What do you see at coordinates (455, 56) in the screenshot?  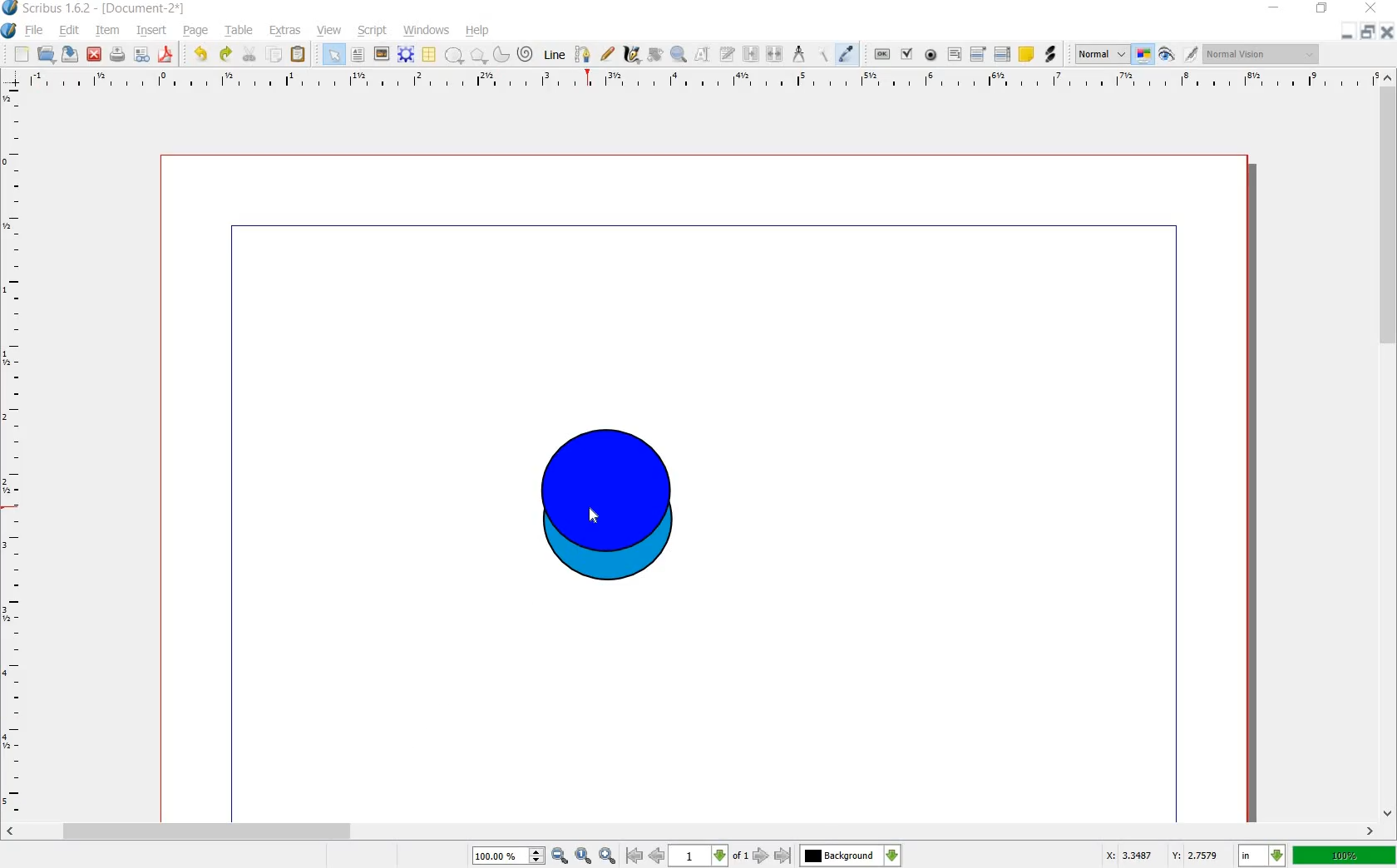 I see `shape` at bounding box center [455, 56].